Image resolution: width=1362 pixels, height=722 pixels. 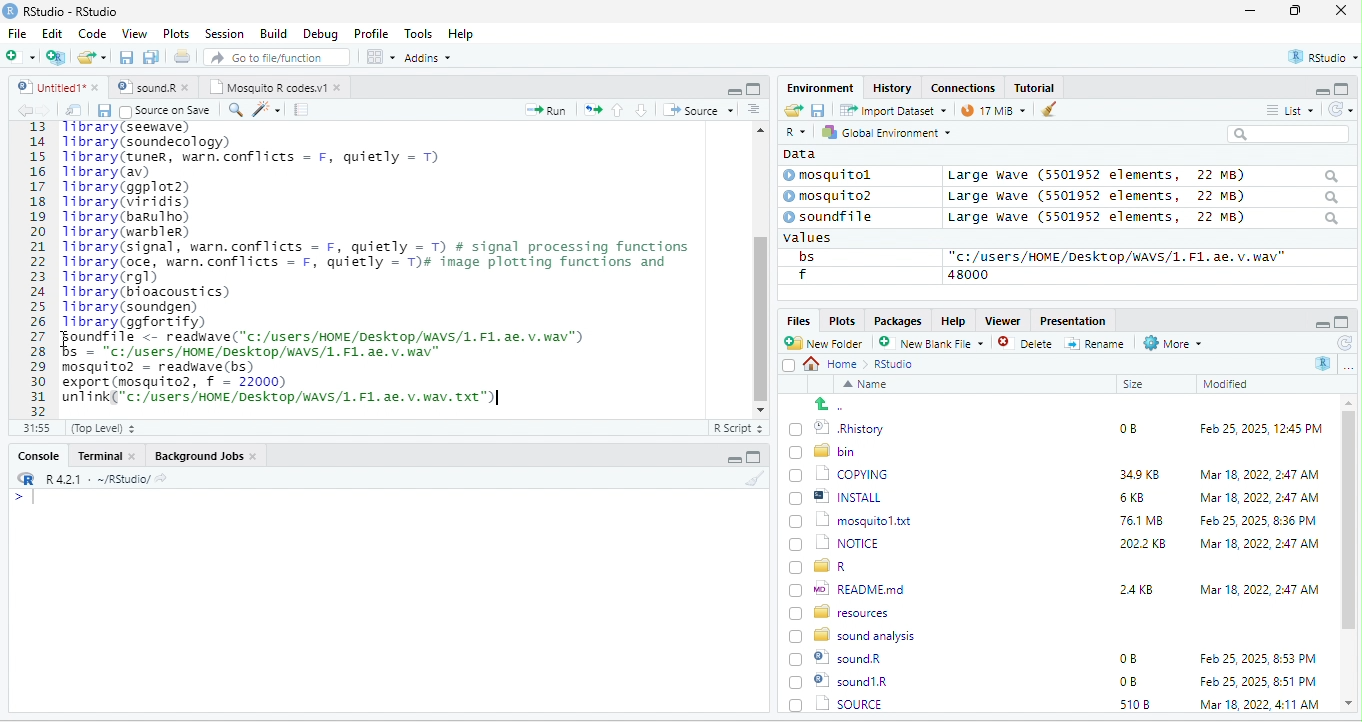 What do you see at coordinates (1000, 321) in the screenshot?
I see `Viewer` at bounding box center [1000, 321].